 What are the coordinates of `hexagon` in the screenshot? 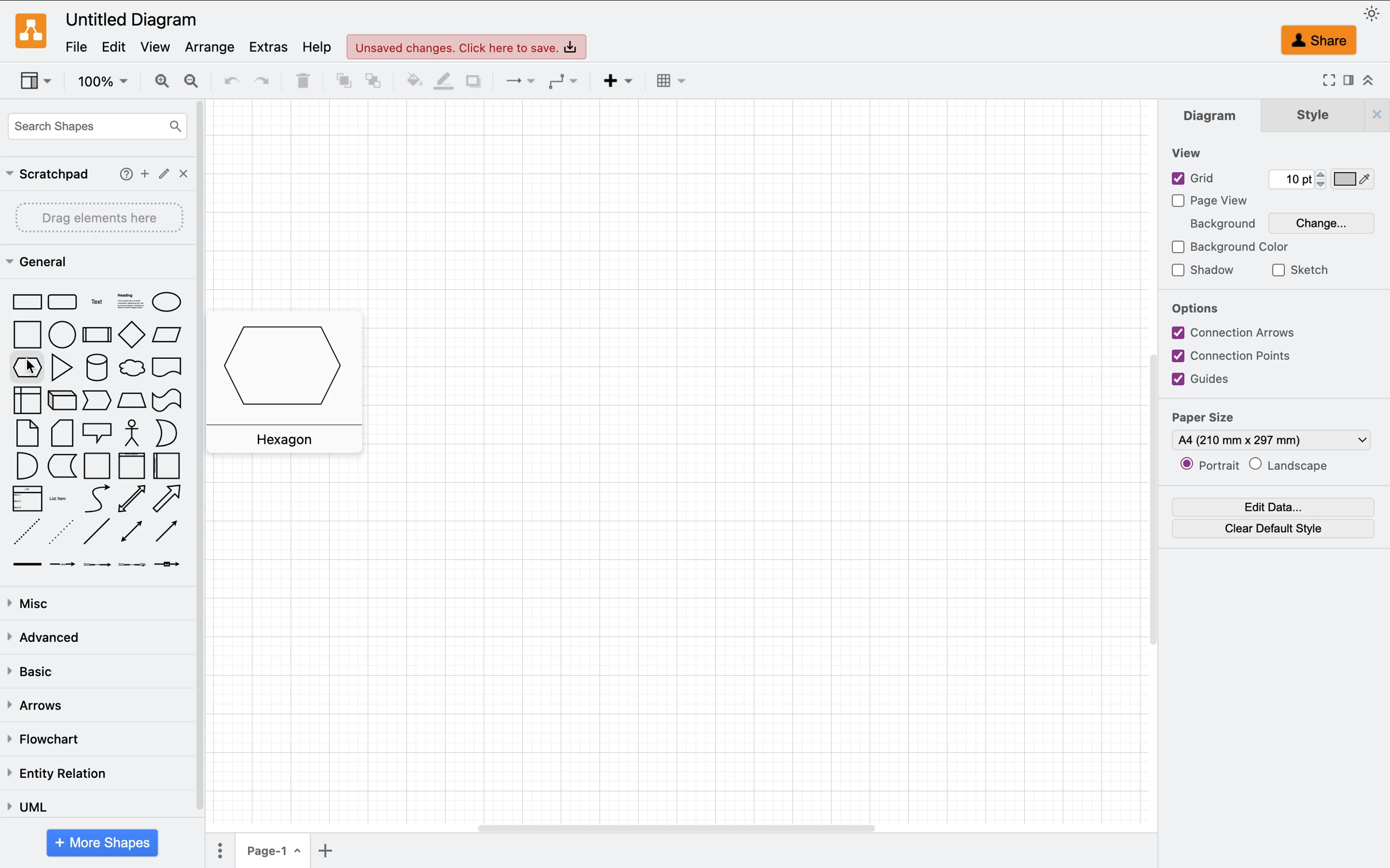 It's located at (26, 367).